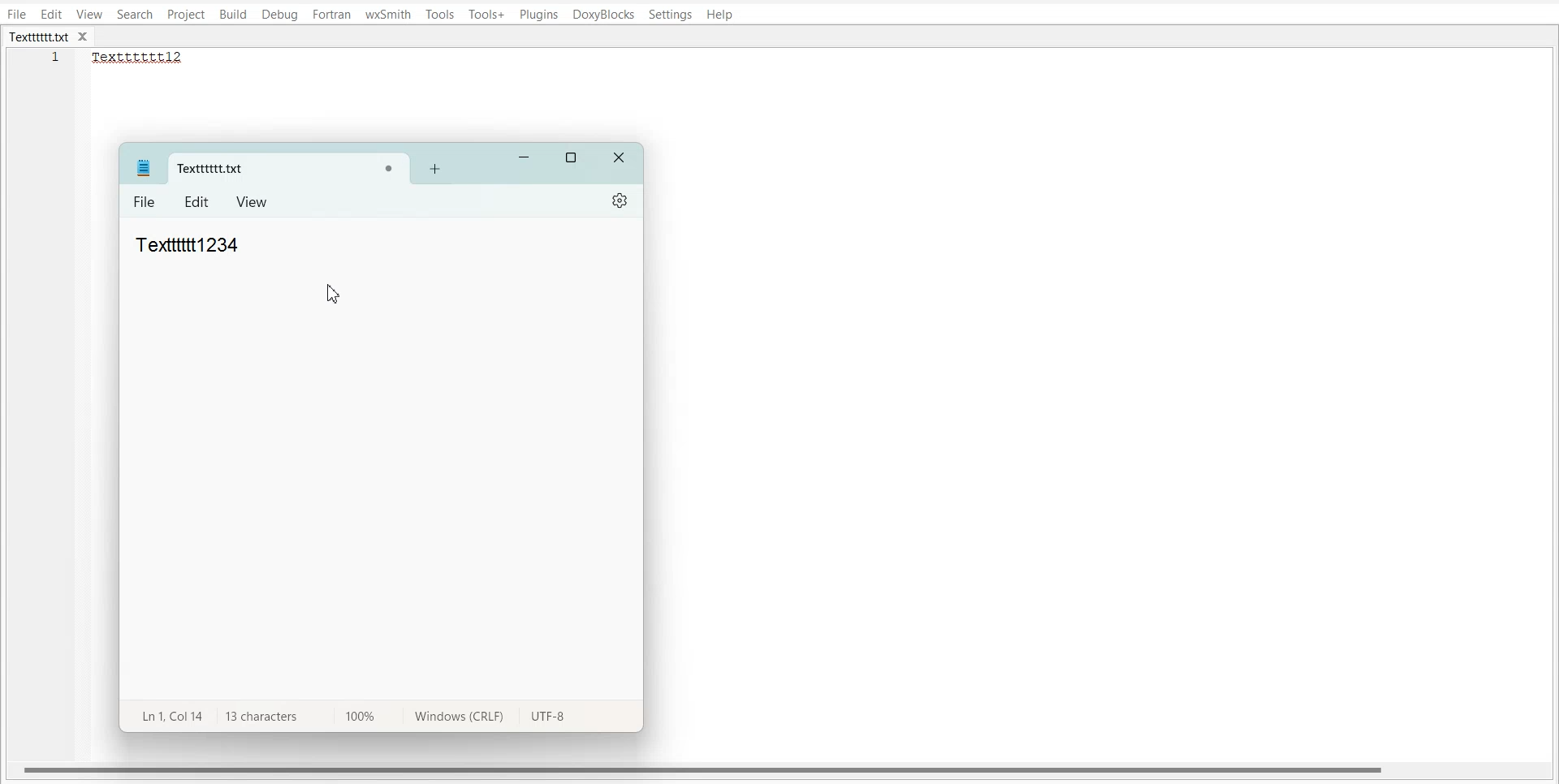 The image size is (1559, 784). Describe the element at coordinates (671, 15) in the screenshot. I see `Settings` at that location.